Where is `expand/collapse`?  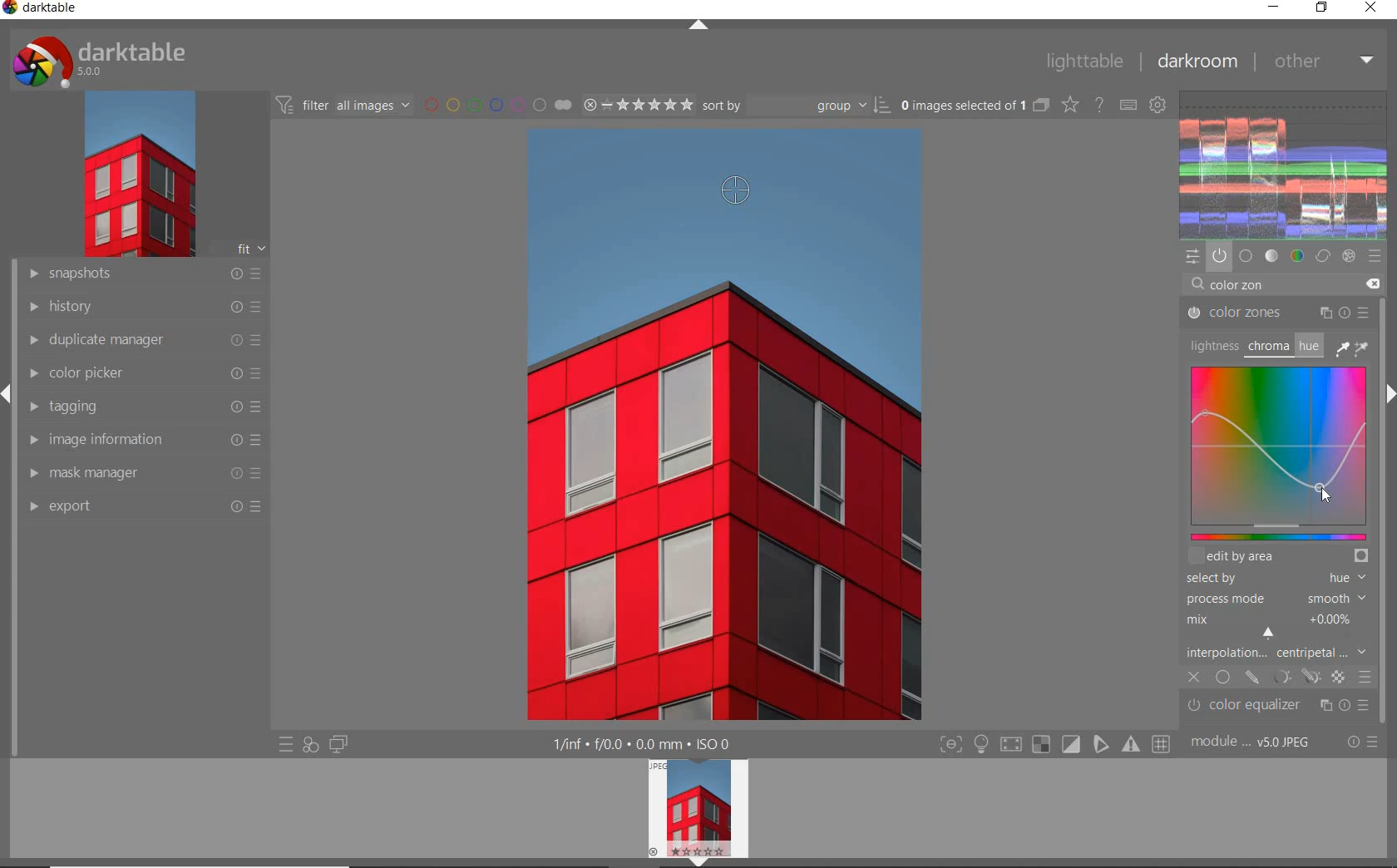
expand/collapse is located at coordinates (694, 862).